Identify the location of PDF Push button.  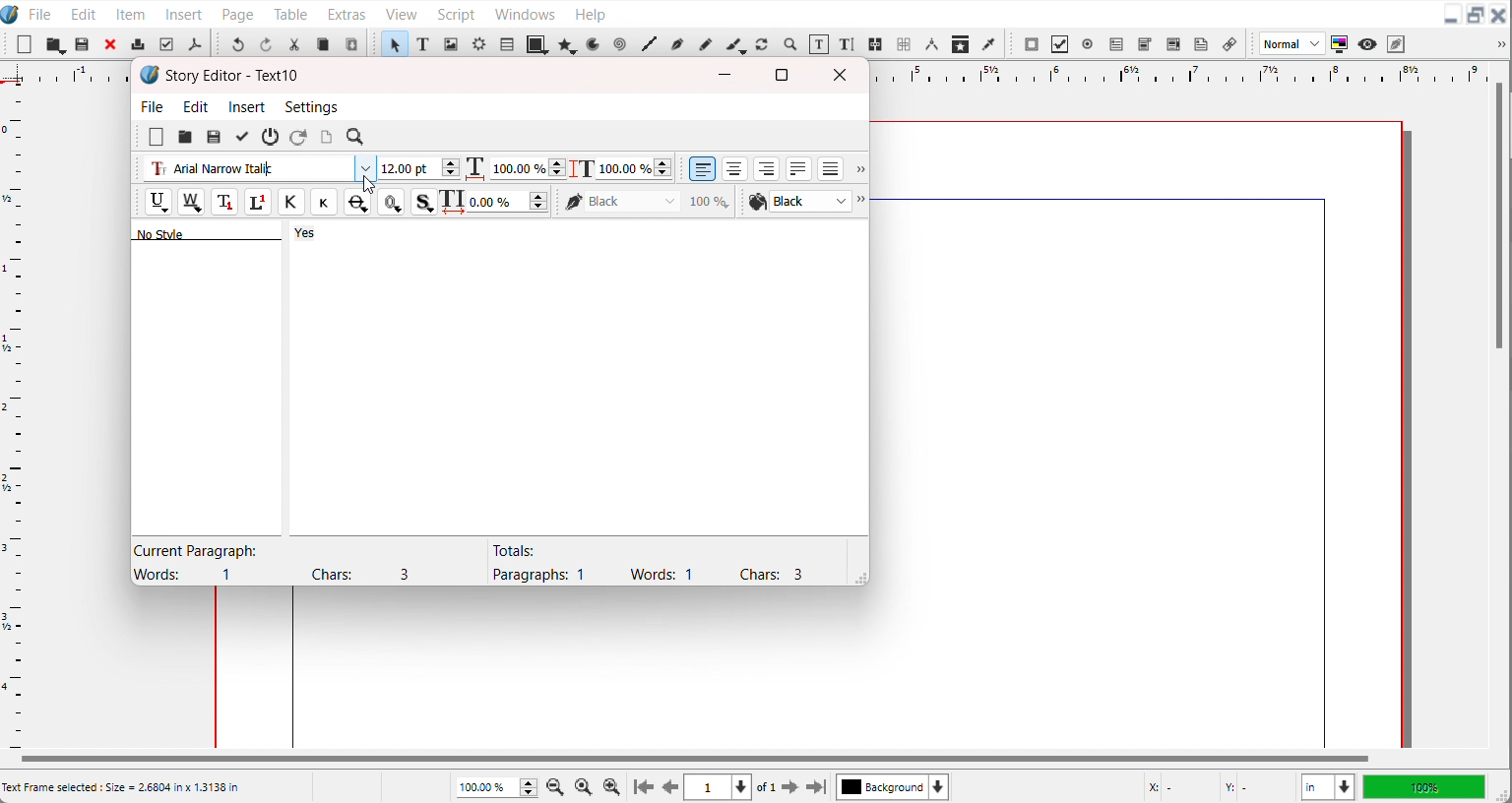
(1032, 43).